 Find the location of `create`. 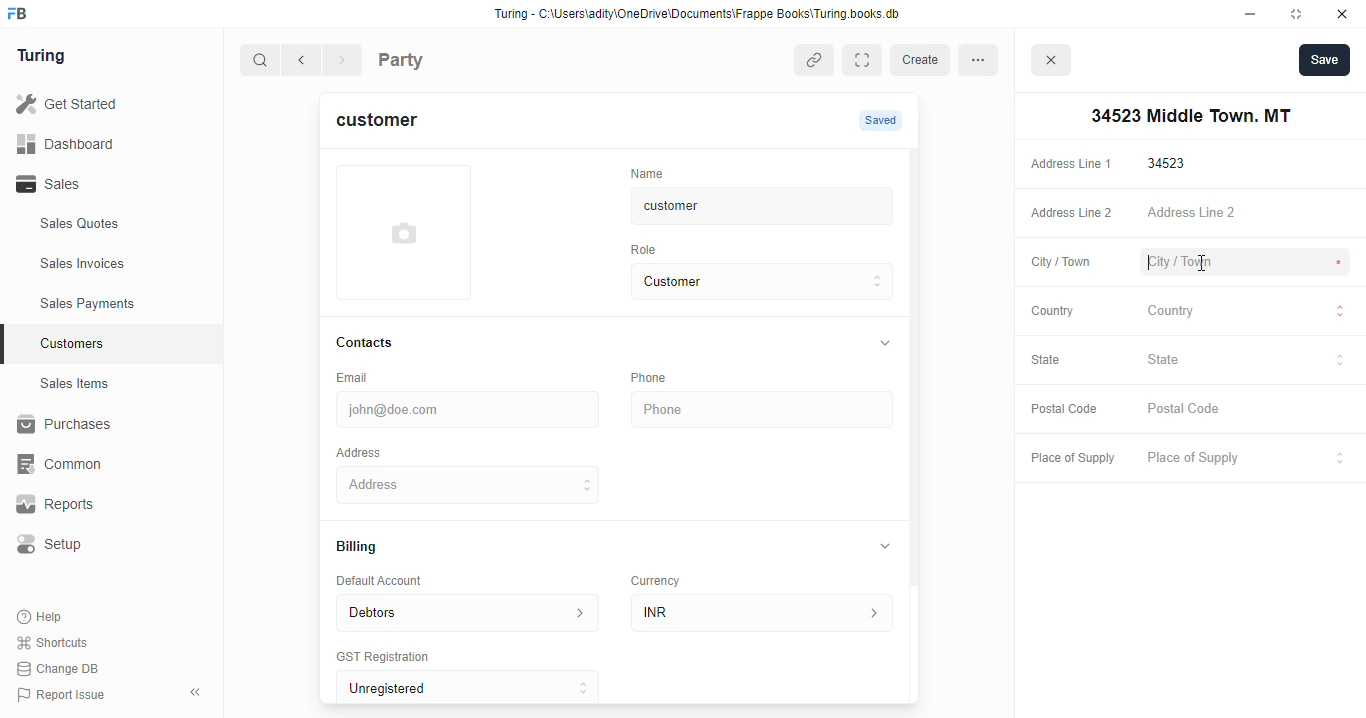

create is located at coordinates (923, 60).